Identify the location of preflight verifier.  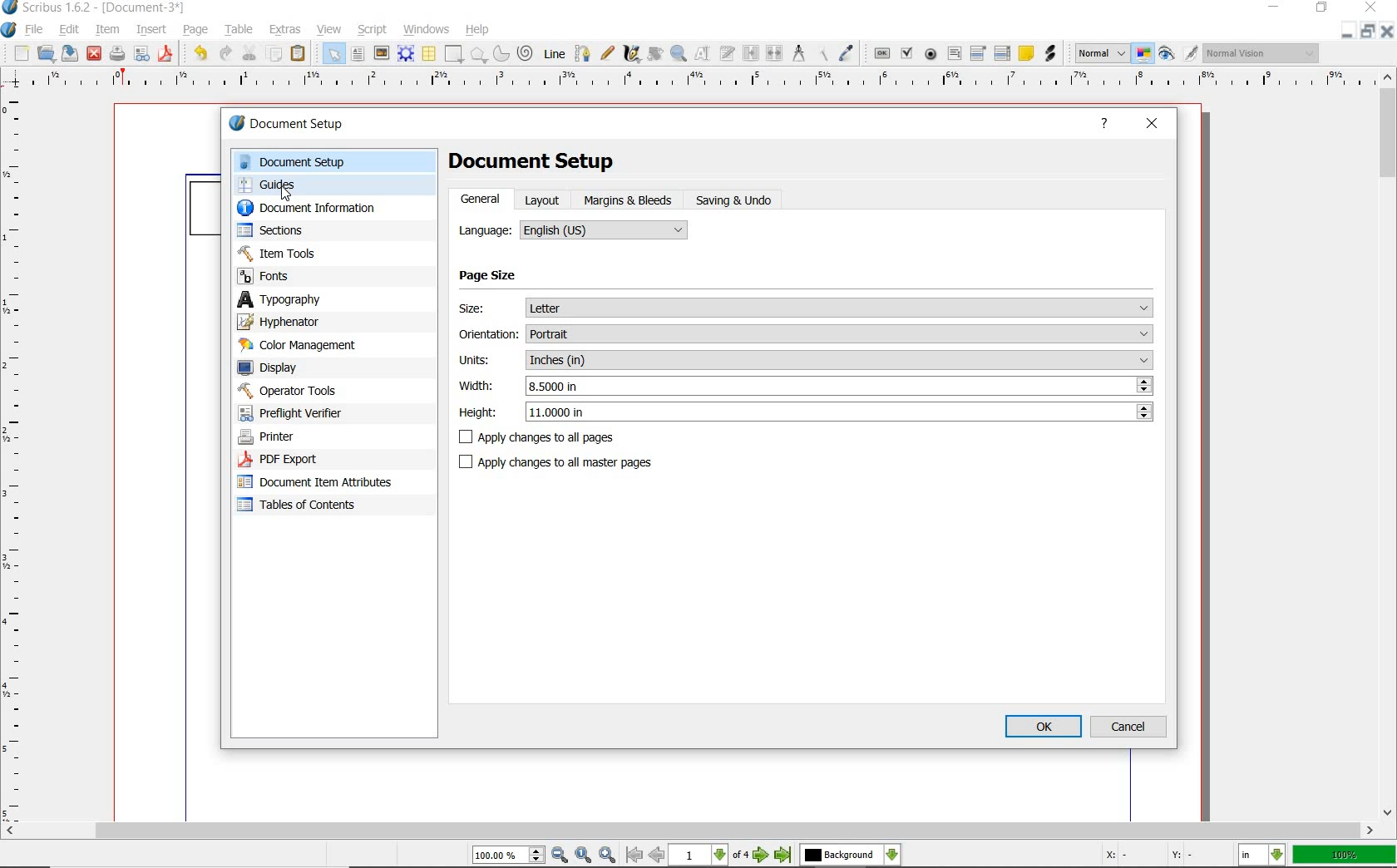
(142, 55).